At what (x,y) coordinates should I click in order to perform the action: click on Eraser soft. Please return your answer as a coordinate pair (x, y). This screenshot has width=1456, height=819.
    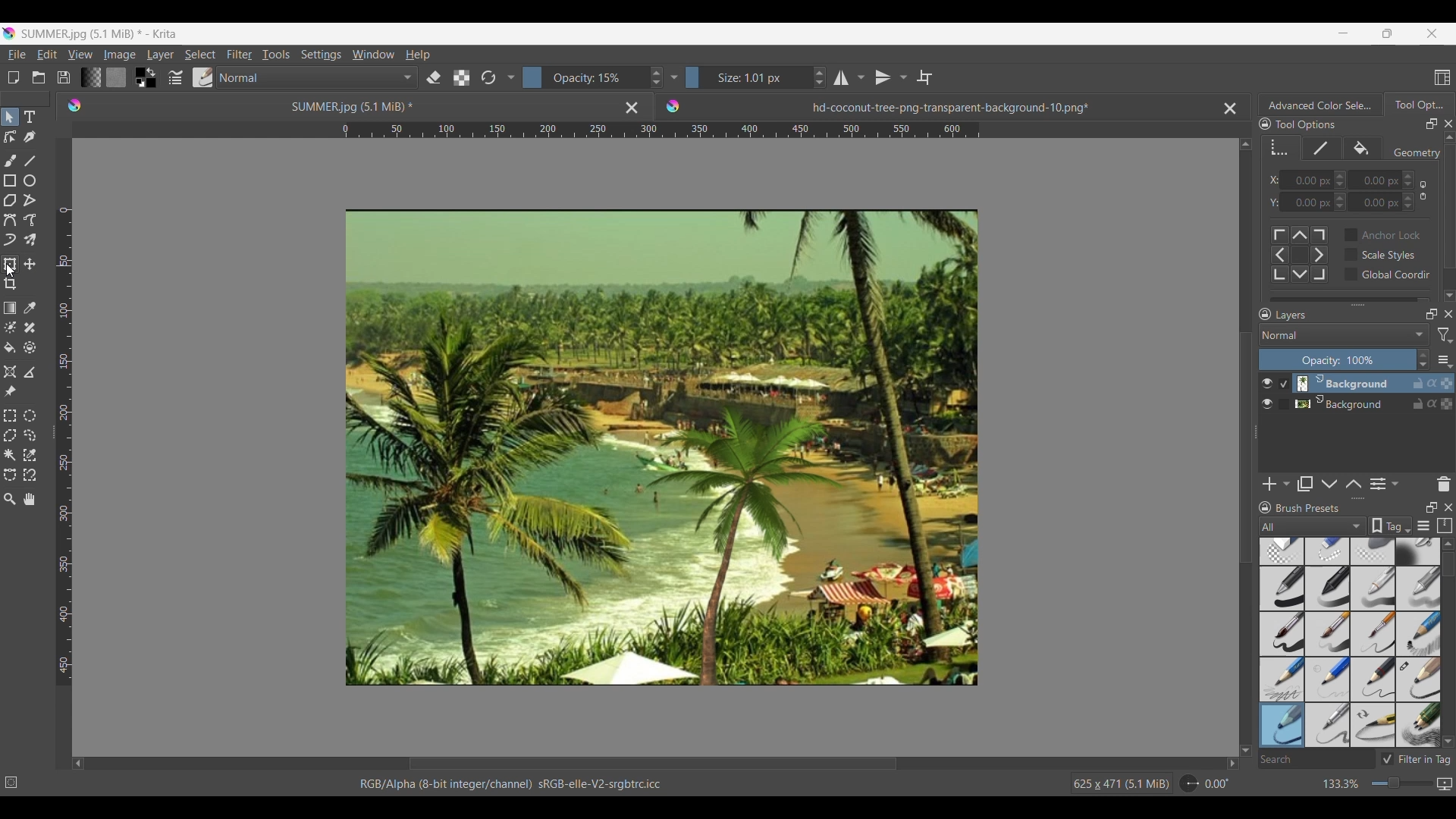
    Looking at the image, I should click on (1375, 551).